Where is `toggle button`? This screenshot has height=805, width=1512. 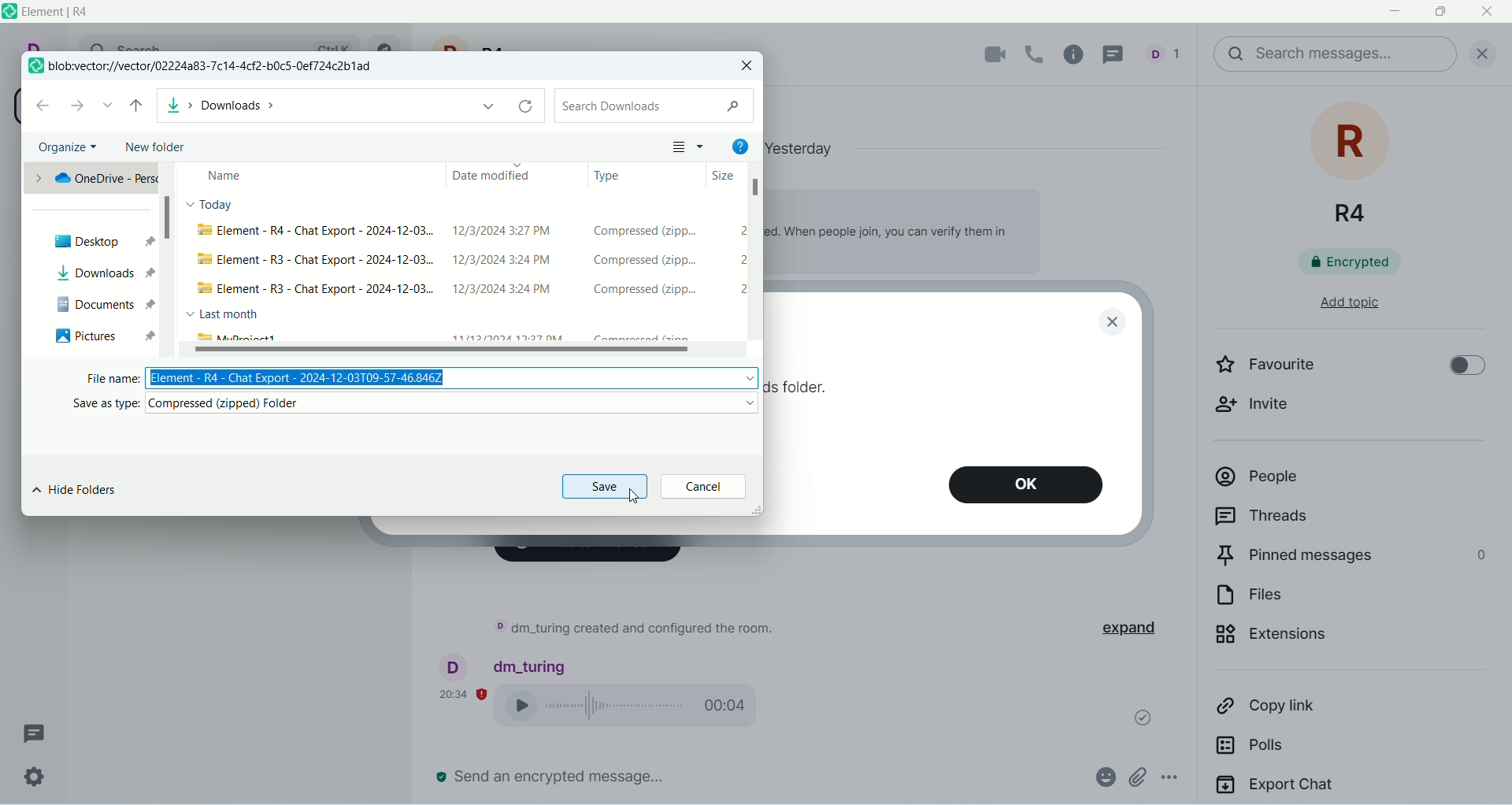 toggle button is located at coordinates (1459, 368).